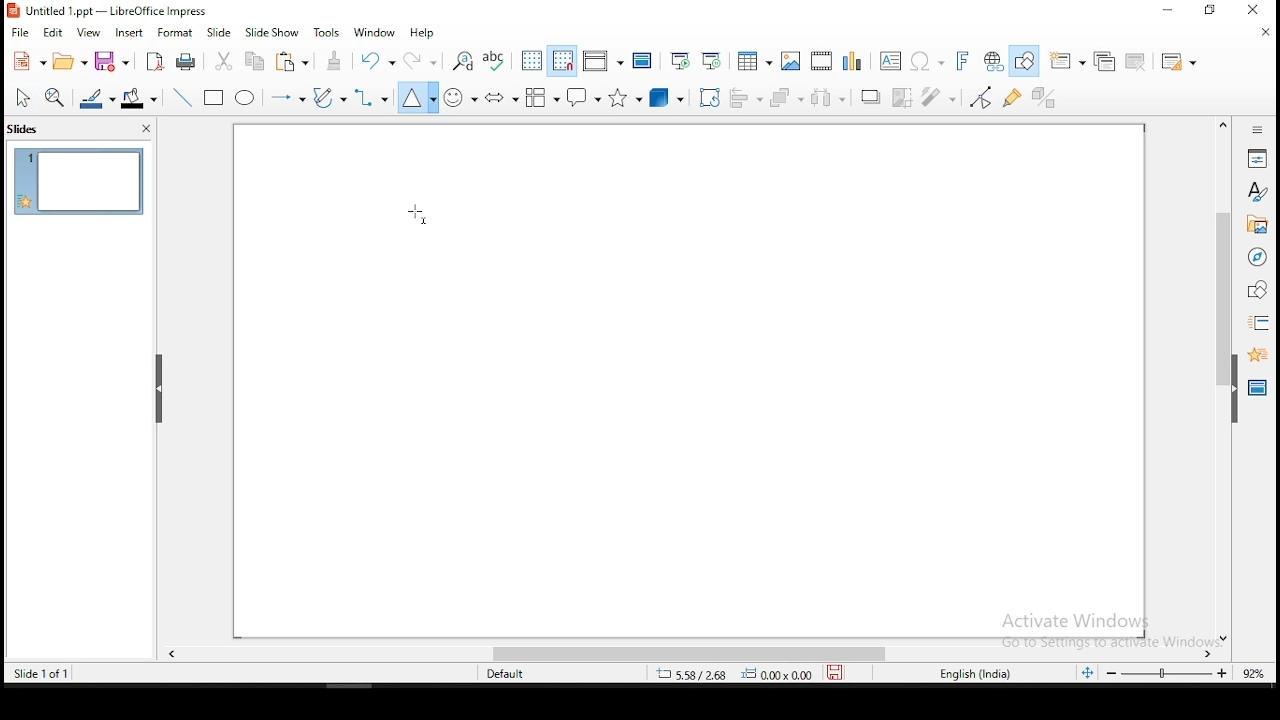 The width and height of the screenshot is (1280, 720). I want to click on scroll bar, so click(691, 655).